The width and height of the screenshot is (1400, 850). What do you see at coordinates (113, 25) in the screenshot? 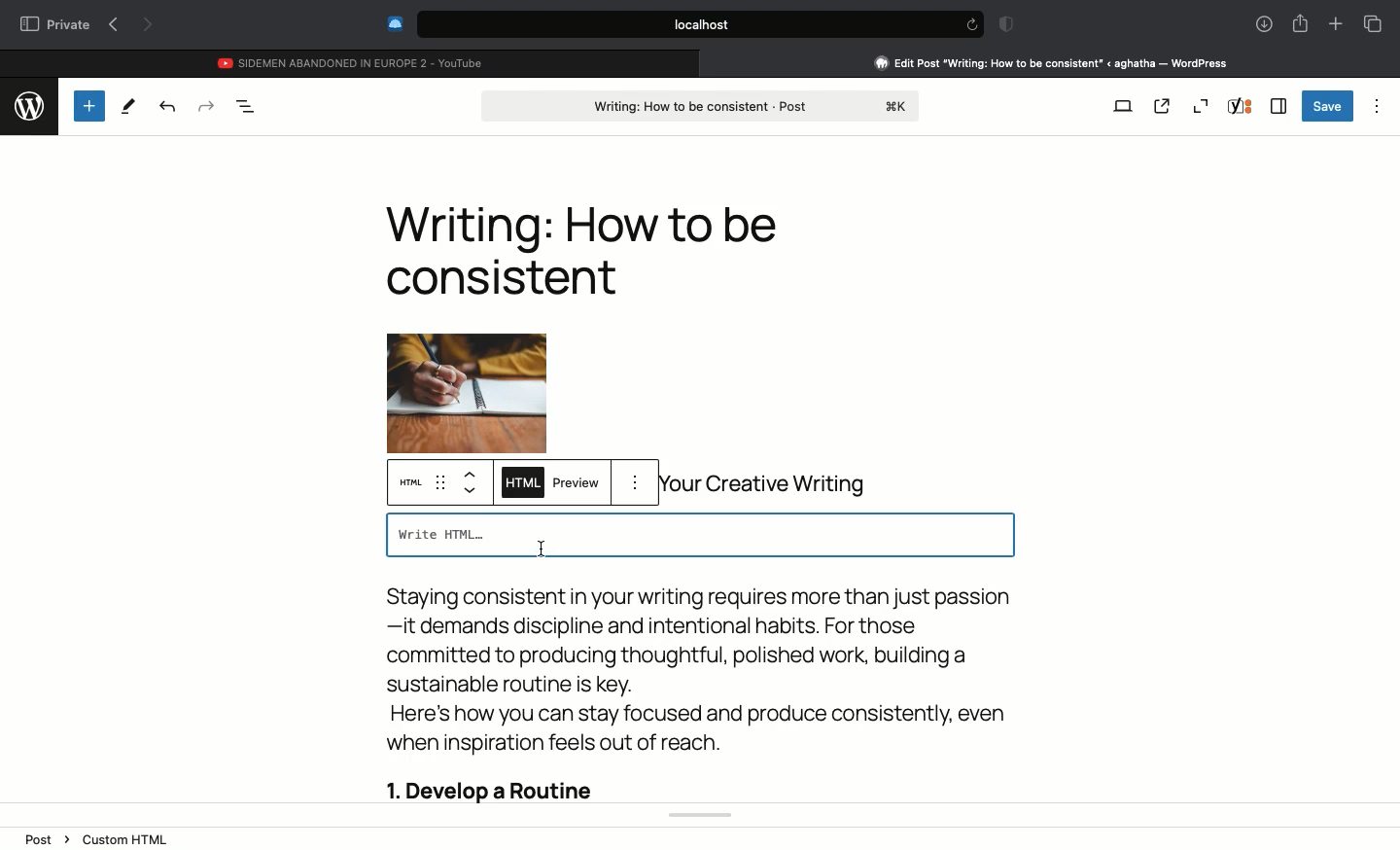
I see `Previous page` at bounding box center [113, 25].